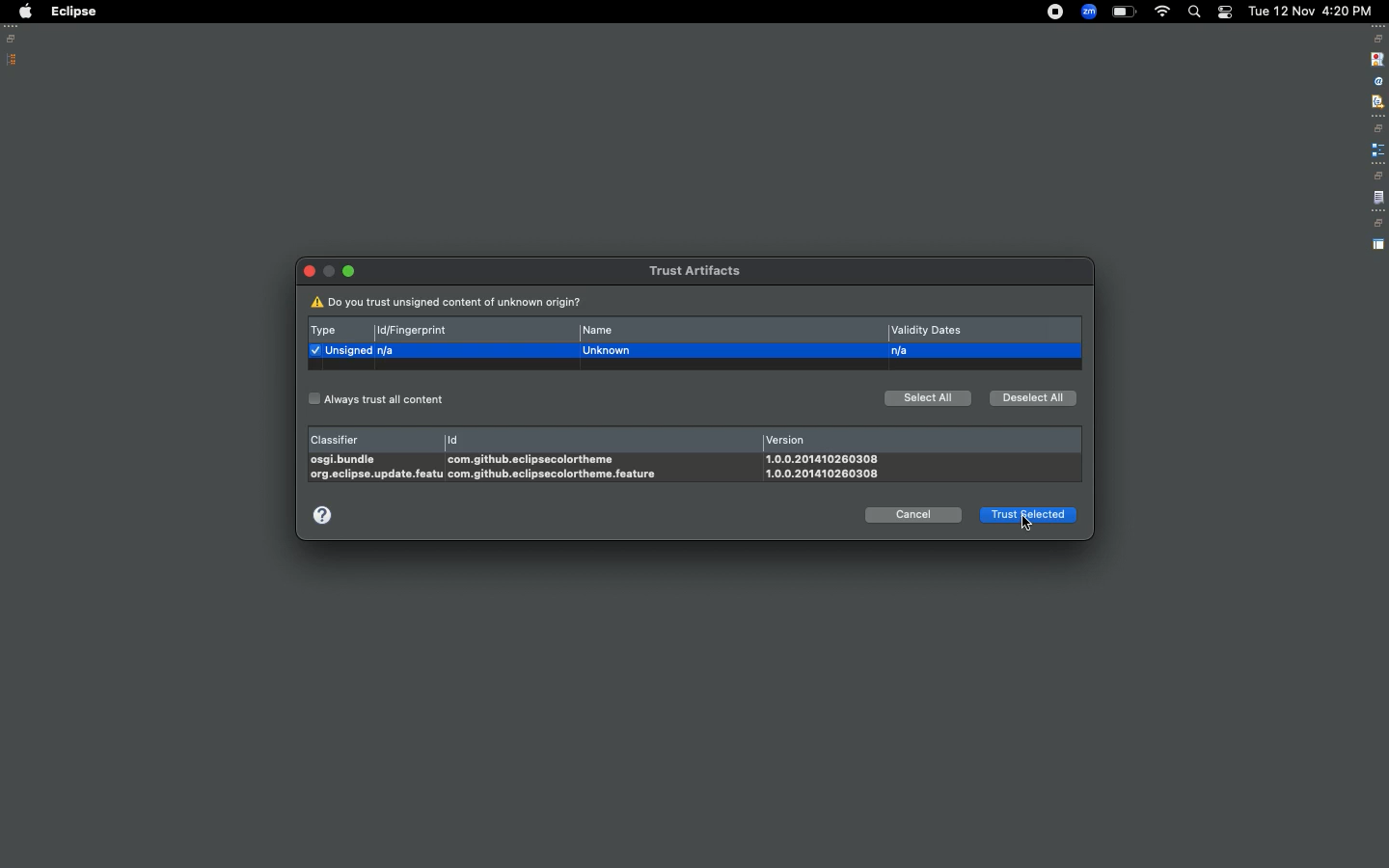 This screenshot has height=868, width=1389. Describe the element at coordinates (377, 399) in the screenshot. I see `Always trust all content` at that location.